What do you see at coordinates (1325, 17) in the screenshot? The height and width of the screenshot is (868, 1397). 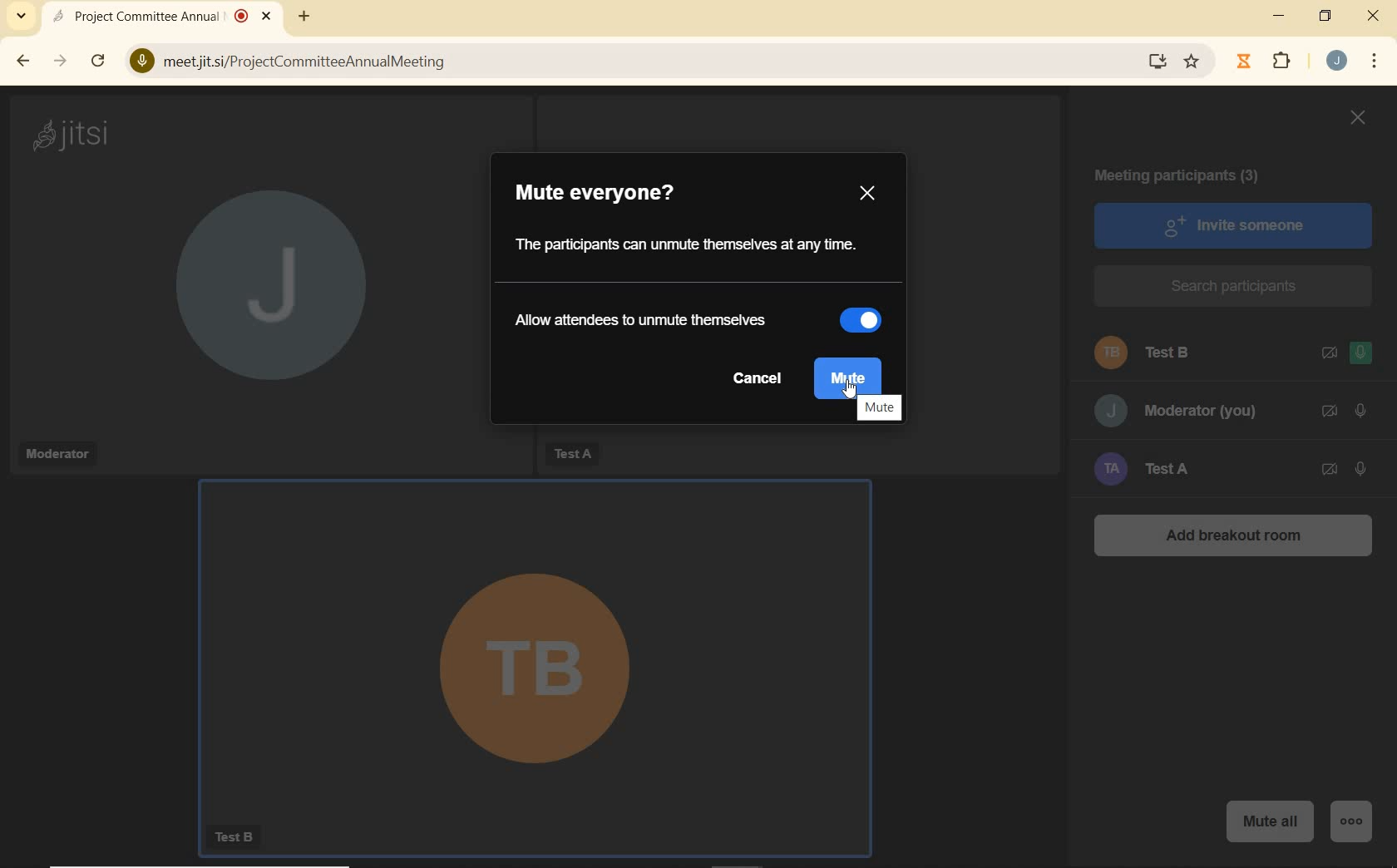 I see `RESTORE DOWN` at bounding box center [1325, 17].